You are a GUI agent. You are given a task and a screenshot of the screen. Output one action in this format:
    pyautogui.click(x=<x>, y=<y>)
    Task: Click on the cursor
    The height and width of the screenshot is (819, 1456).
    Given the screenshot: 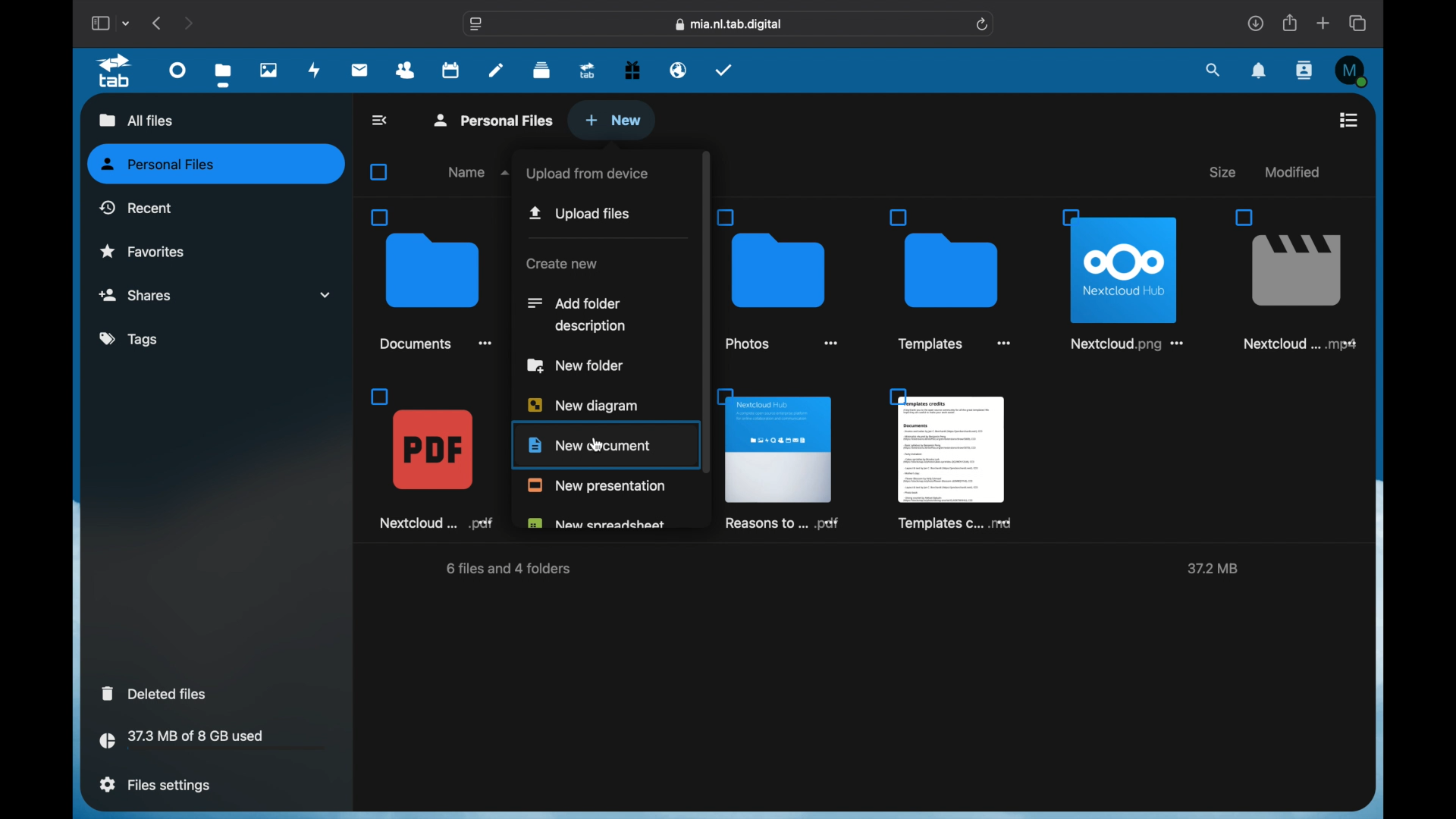 What is the action you would take?
    pyautogui.click(x=599, y=446)
    